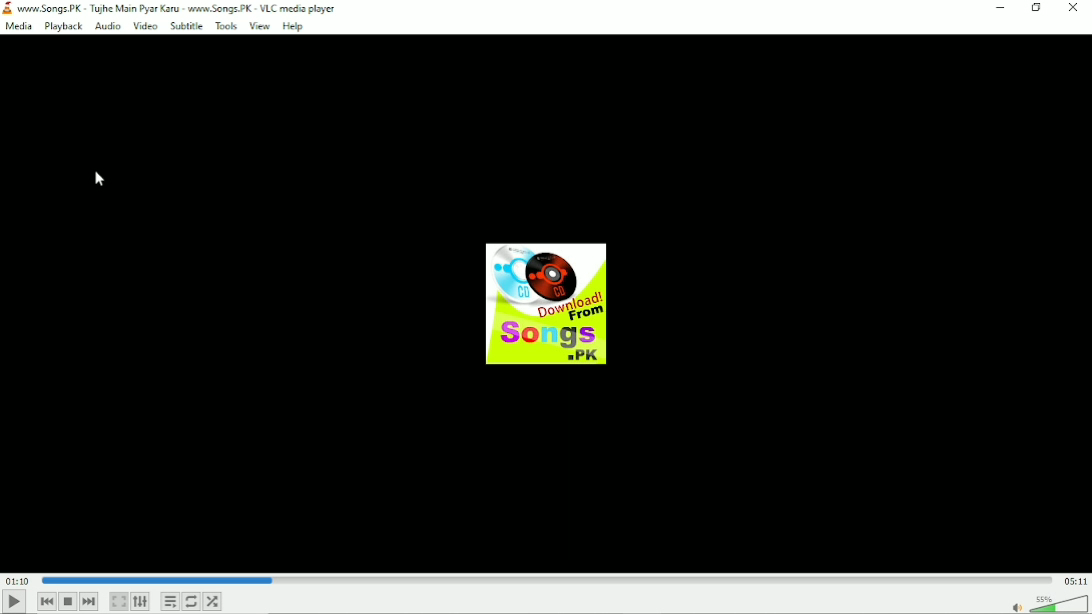 This screenshot has width=1092, height=614. I want to click on Show extended settings, so click(141, 602).